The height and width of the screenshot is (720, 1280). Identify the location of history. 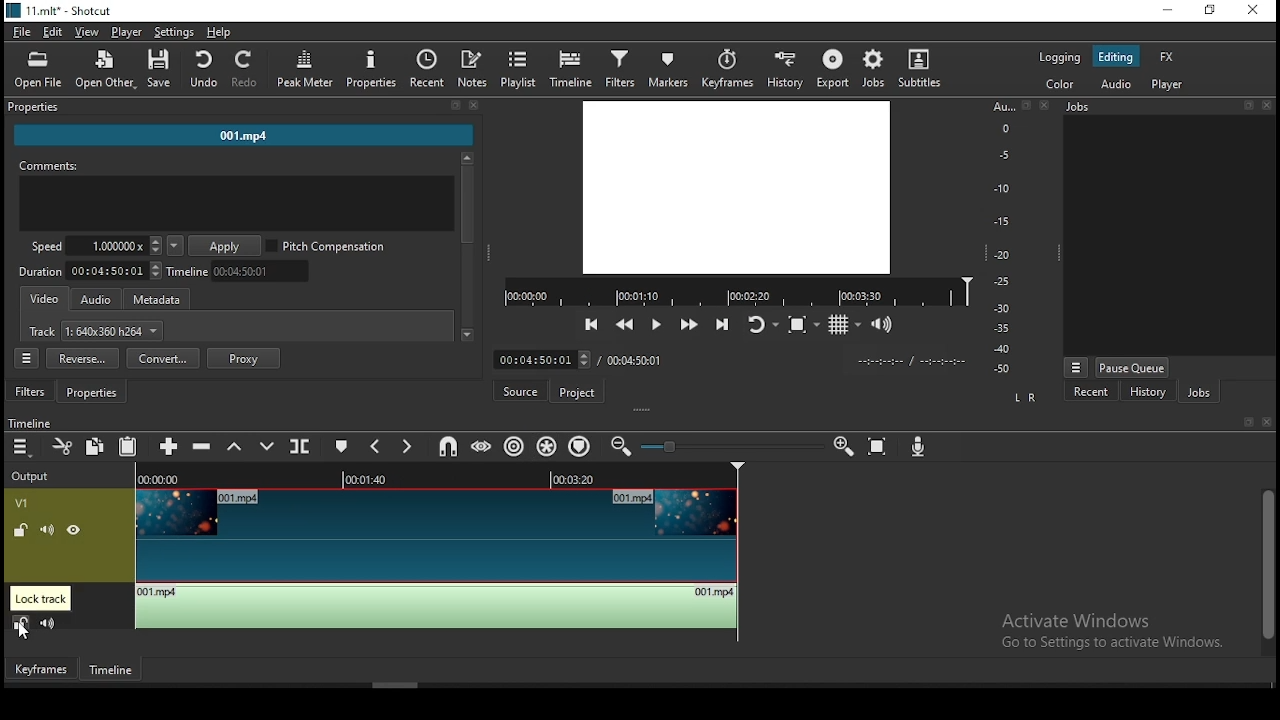
(785, 67).